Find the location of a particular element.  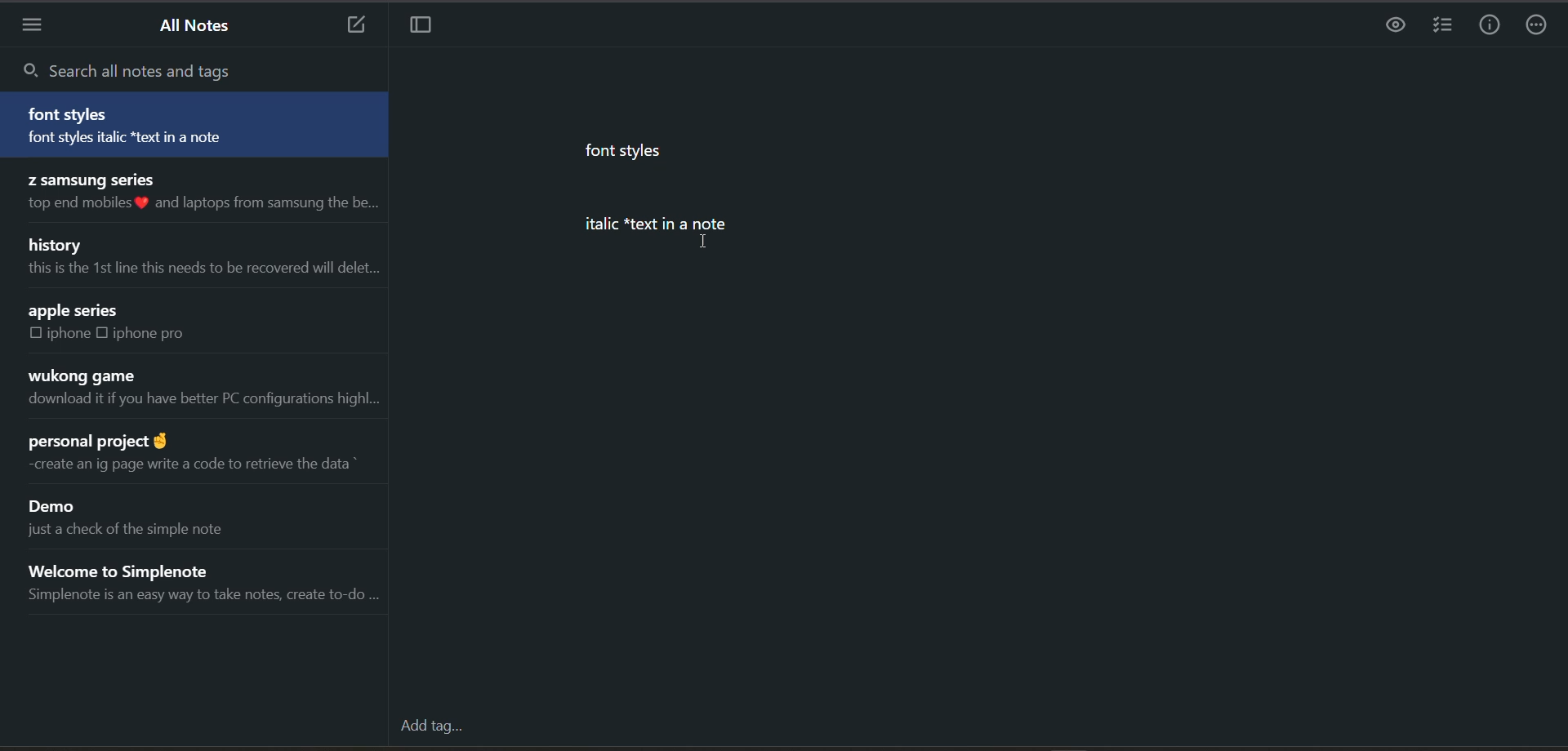

note title and preview is located at coordinates (195, 124).